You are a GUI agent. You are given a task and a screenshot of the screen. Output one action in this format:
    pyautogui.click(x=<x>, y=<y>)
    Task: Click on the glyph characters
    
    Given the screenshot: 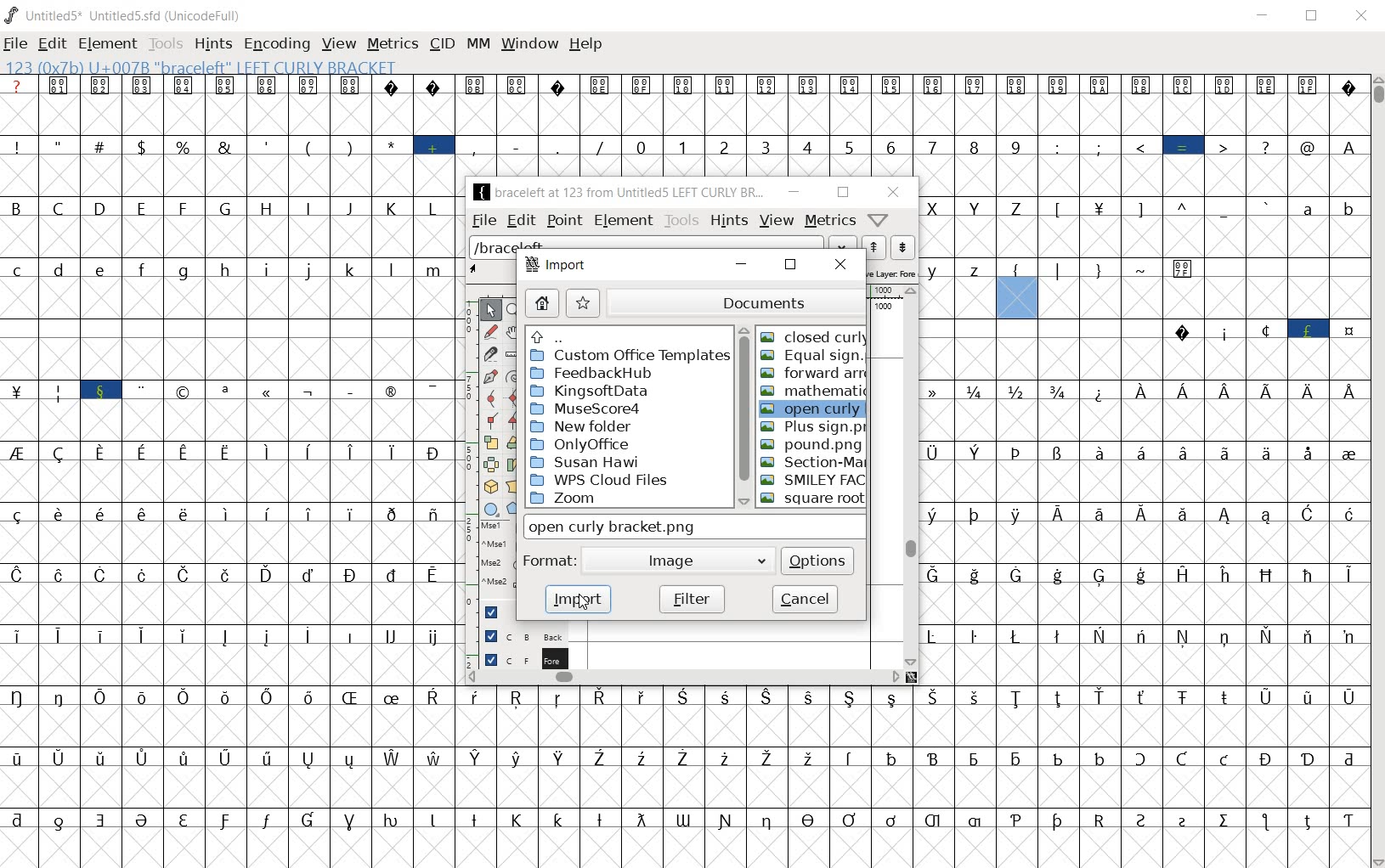 What is the action you would take?
    pyautogui.click(x=1144, y=500)
    